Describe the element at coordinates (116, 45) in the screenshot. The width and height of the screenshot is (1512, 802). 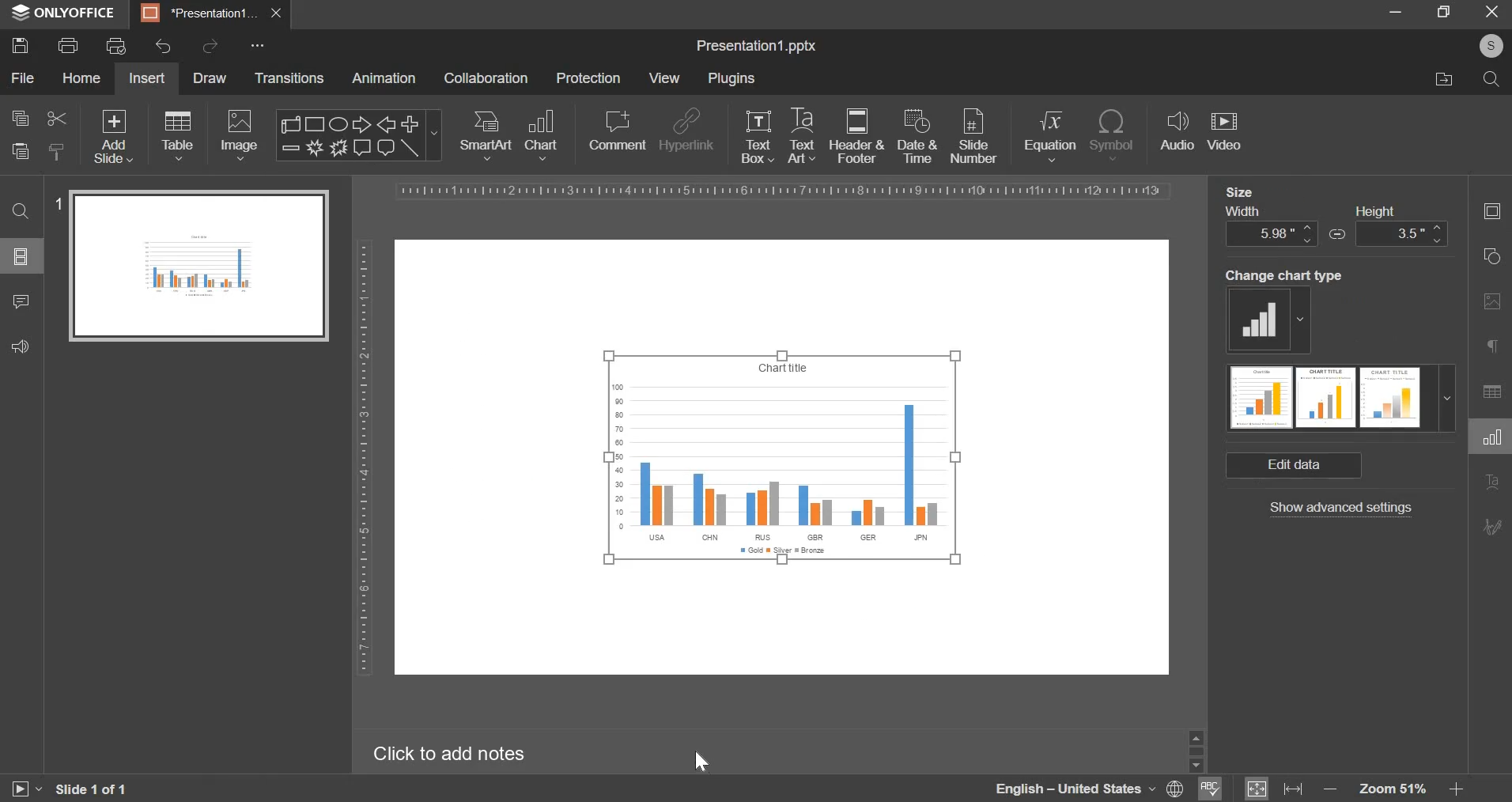
I see `print preview` at that location.